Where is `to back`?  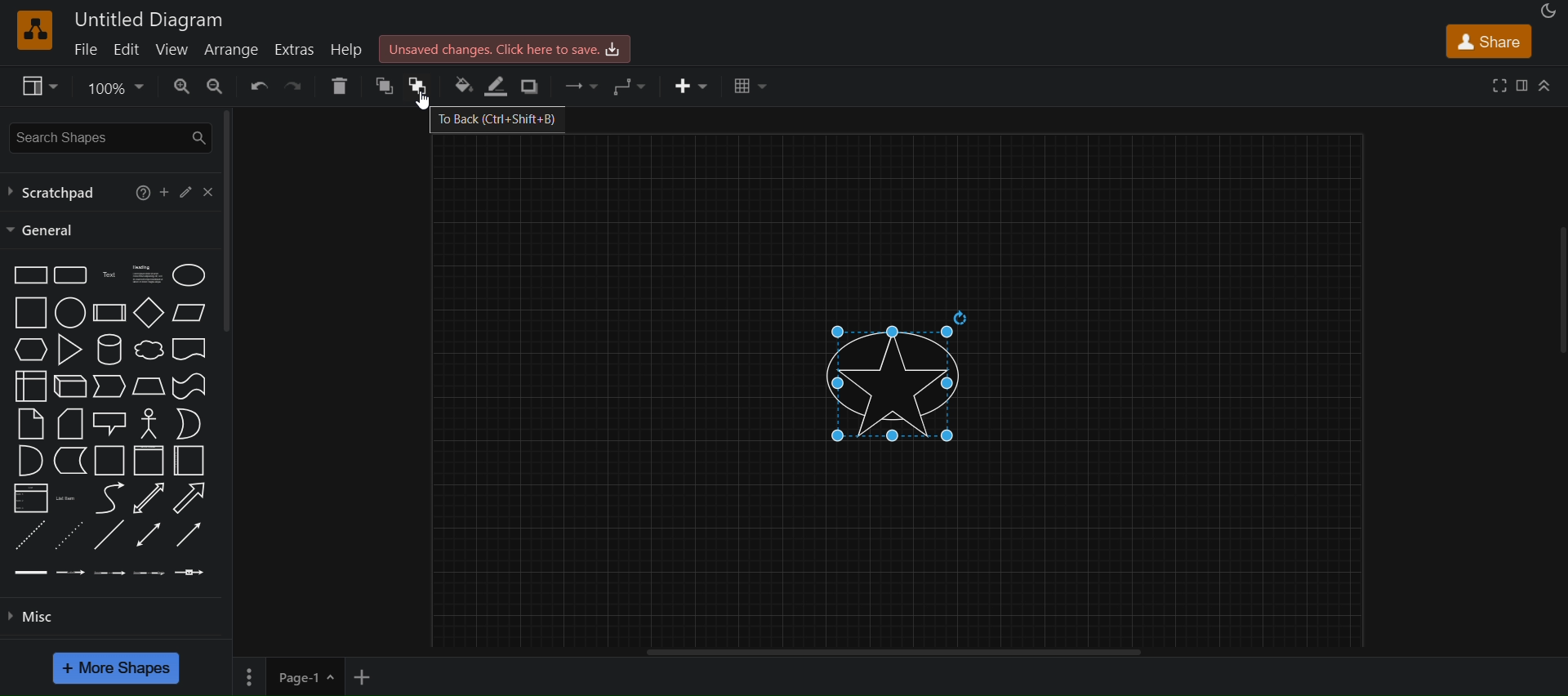 to back is located at coordinates (496, 119).